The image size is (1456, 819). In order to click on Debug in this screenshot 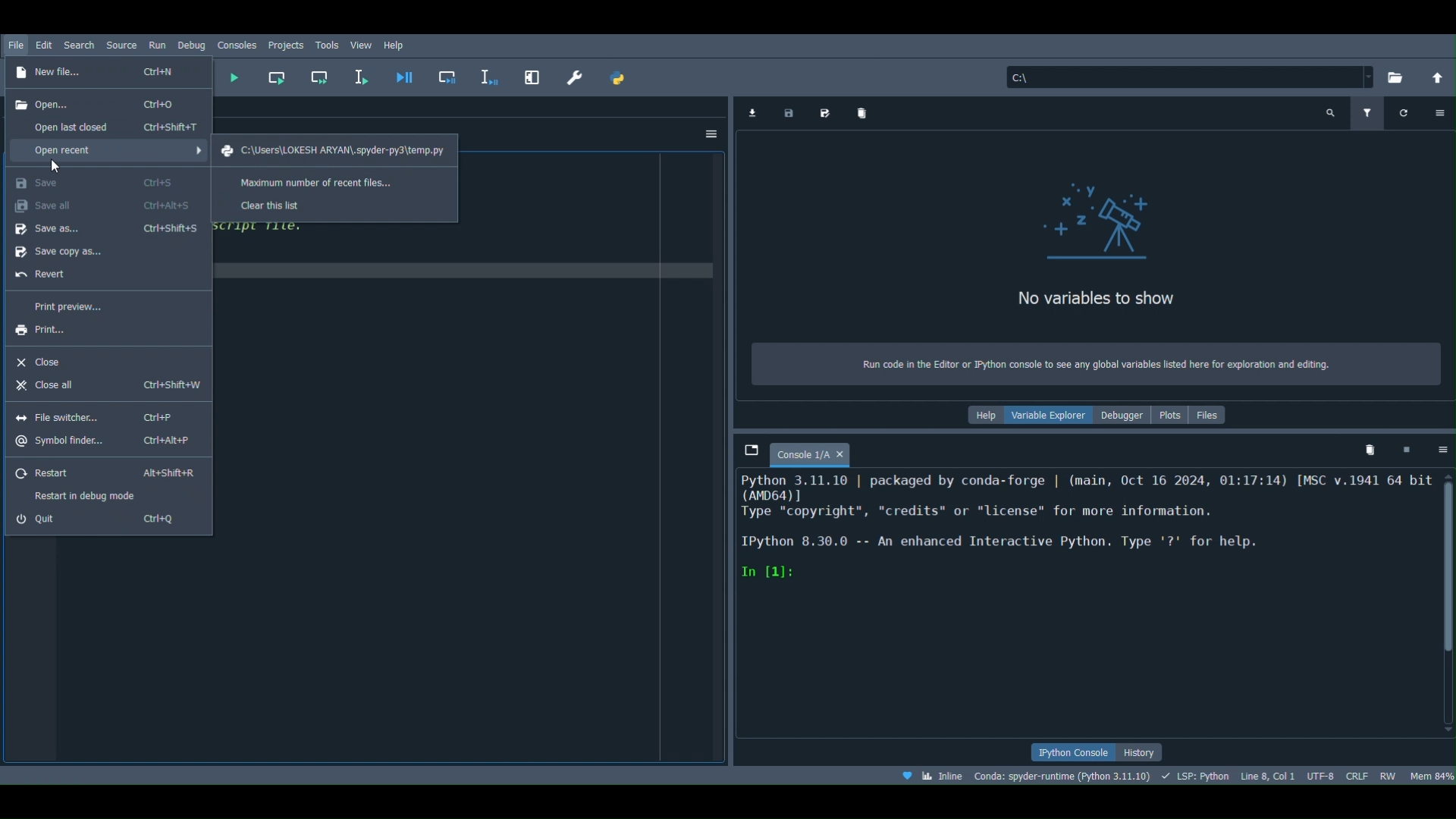, I will do `click(192, 45)`.